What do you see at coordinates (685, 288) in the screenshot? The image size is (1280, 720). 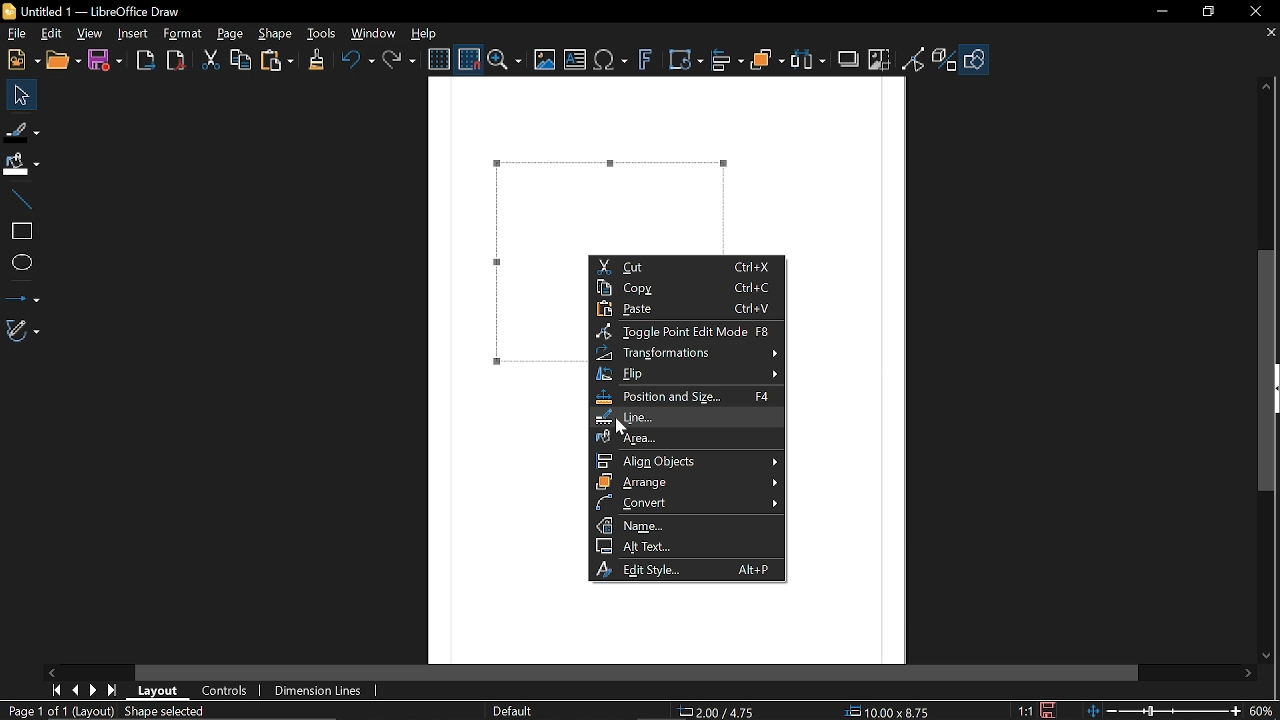 I see `Copy` at bounding box center [685, 288].